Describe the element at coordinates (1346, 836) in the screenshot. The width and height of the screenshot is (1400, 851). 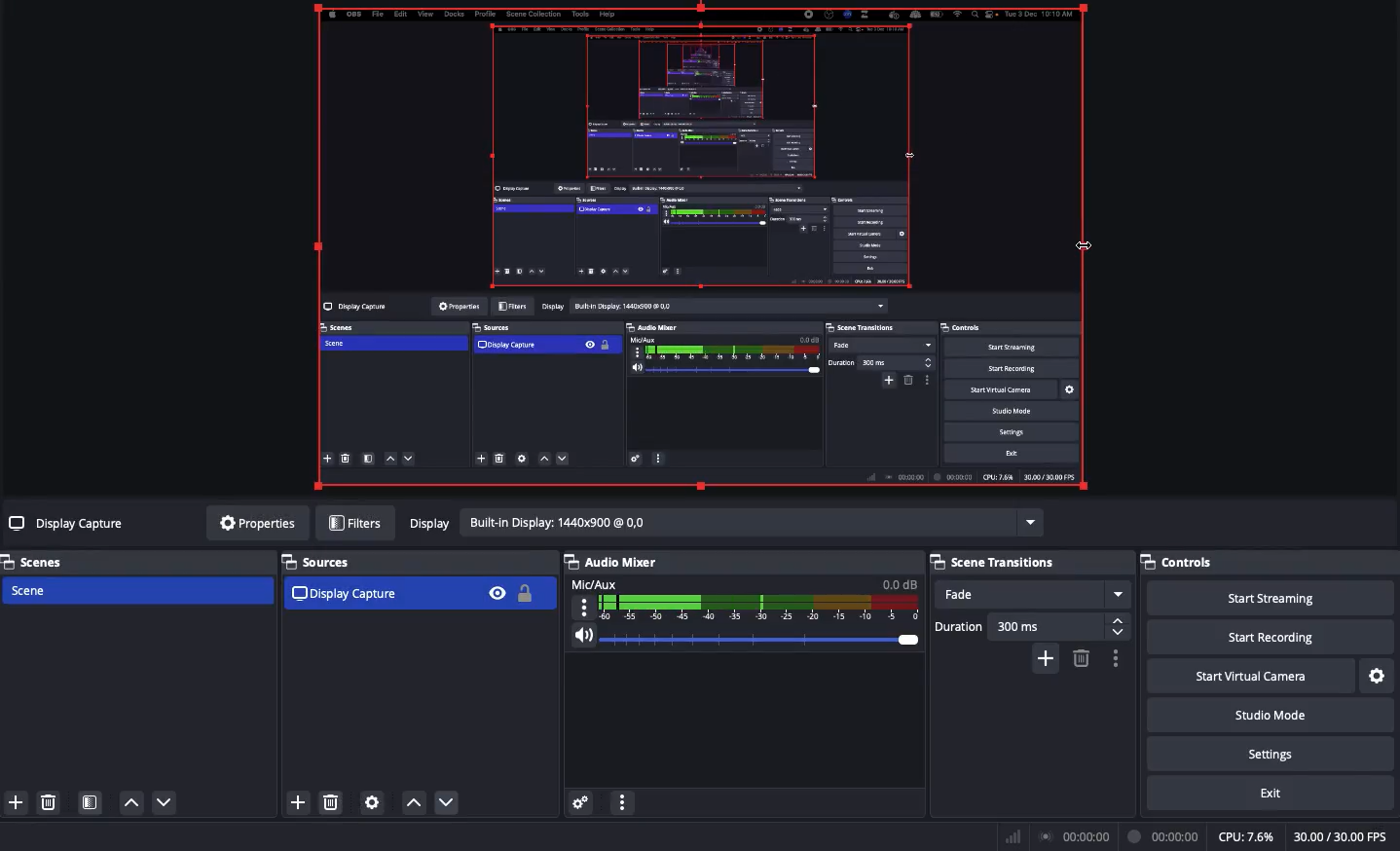
I see `FPS` at that location.